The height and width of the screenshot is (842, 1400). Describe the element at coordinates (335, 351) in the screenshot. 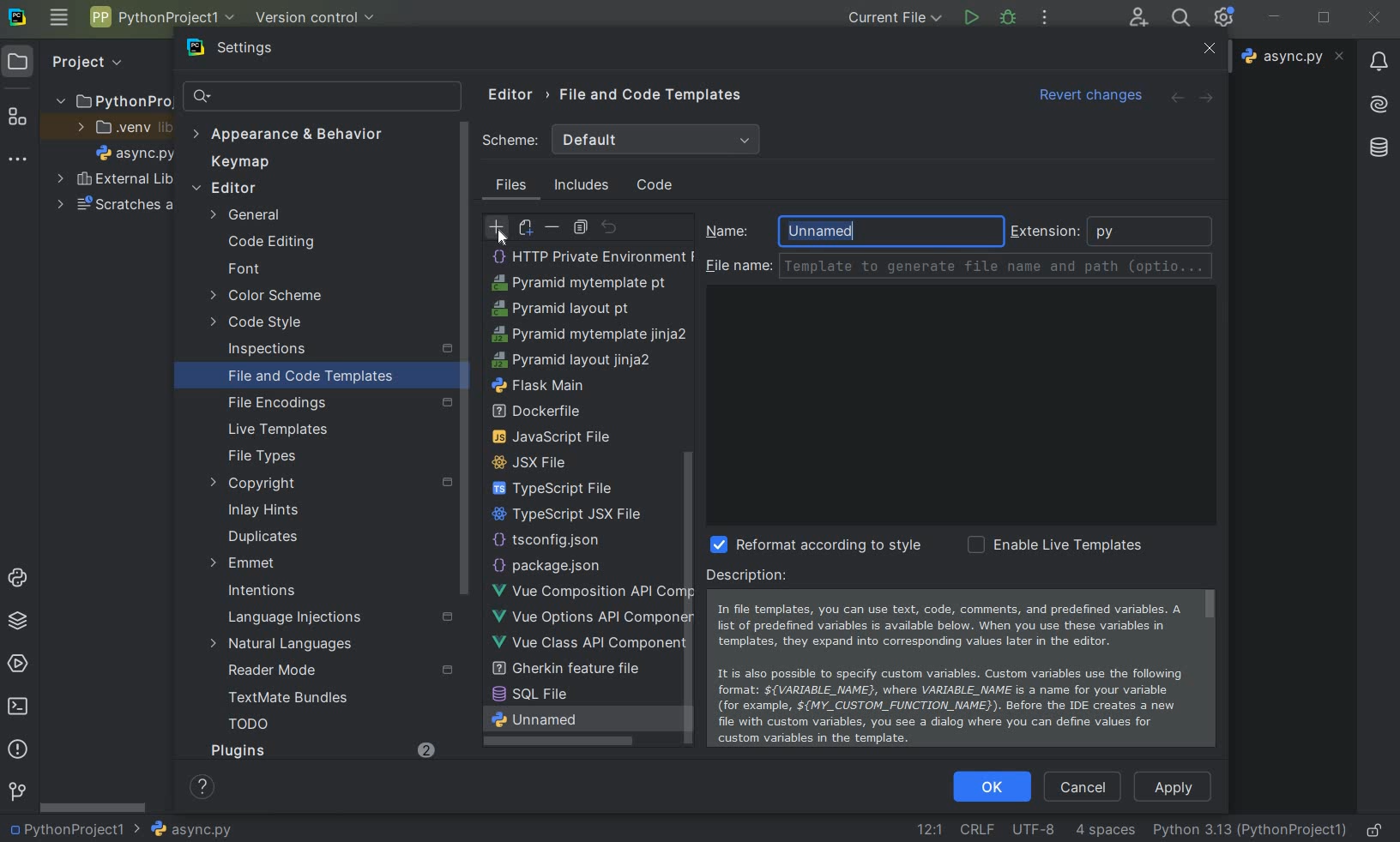

I see `inspections` at that location.